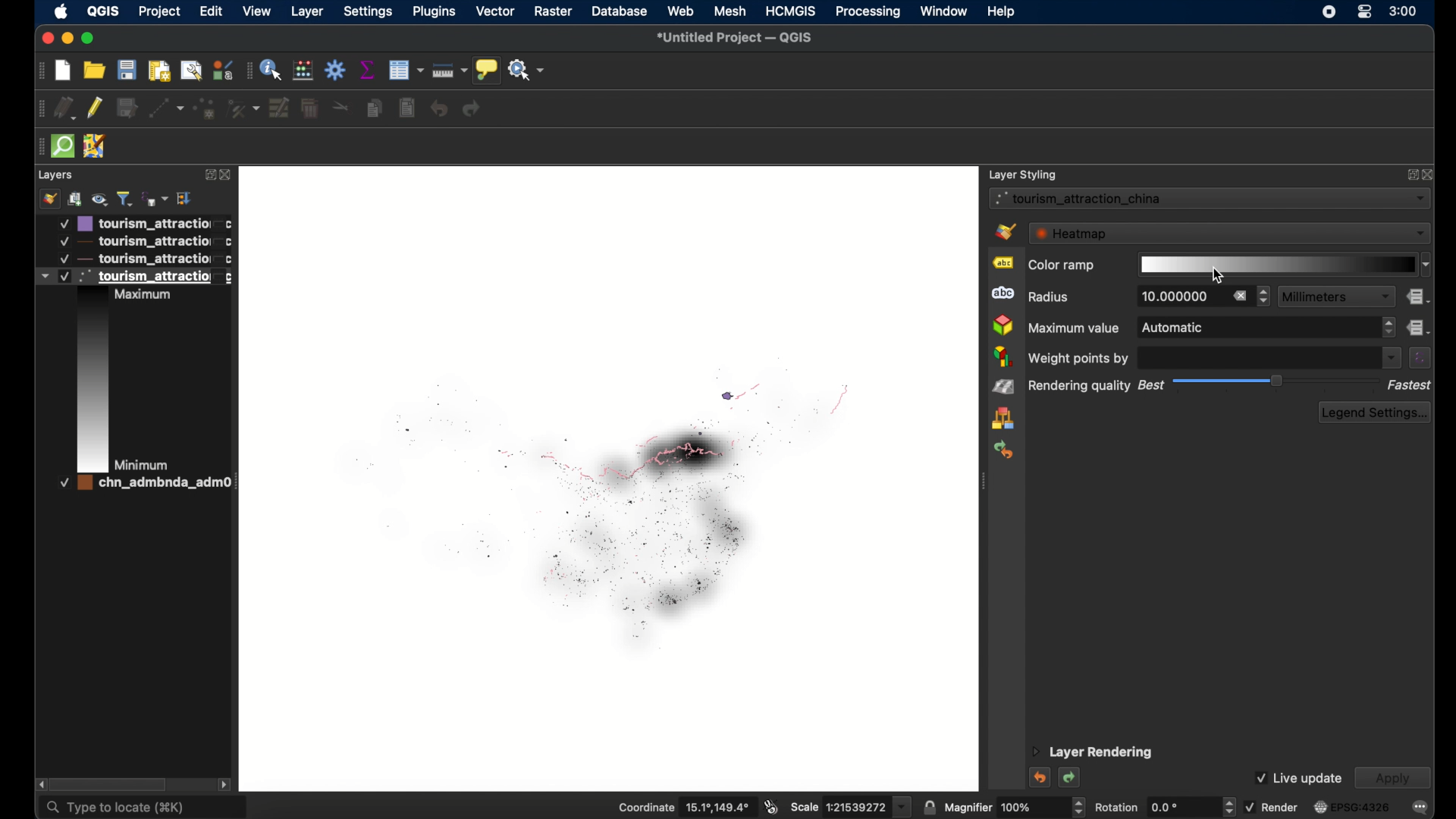  I want to click on layer dropdown menu, so click(1210, 198).